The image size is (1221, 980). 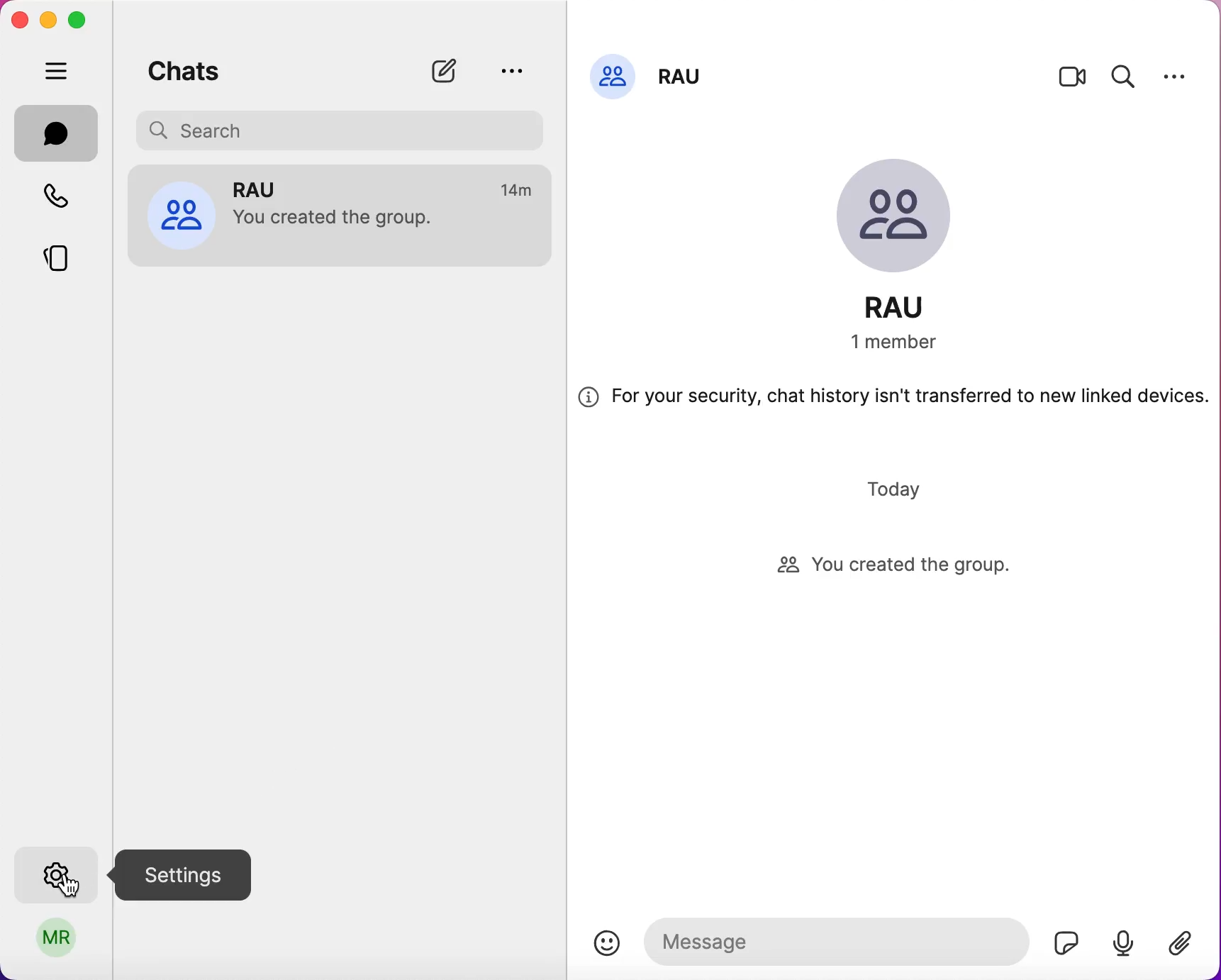 What do you see at coordinates (183, 216) in the screenshot?
I see `profile picture` at bounding box center [183, 216].